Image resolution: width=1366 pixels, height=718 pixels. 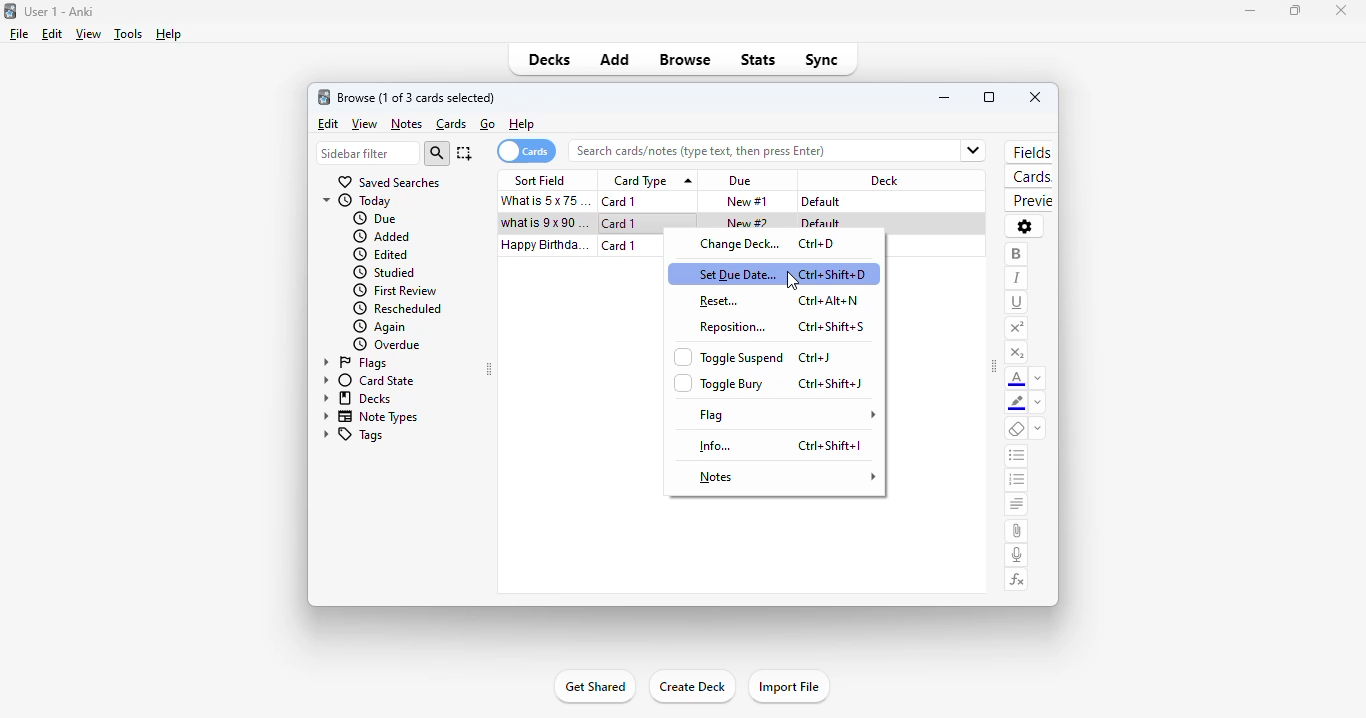 What do you see at coordinates (382, 236) in the screenshot?
I see `added` at bounding box center [382, 236].